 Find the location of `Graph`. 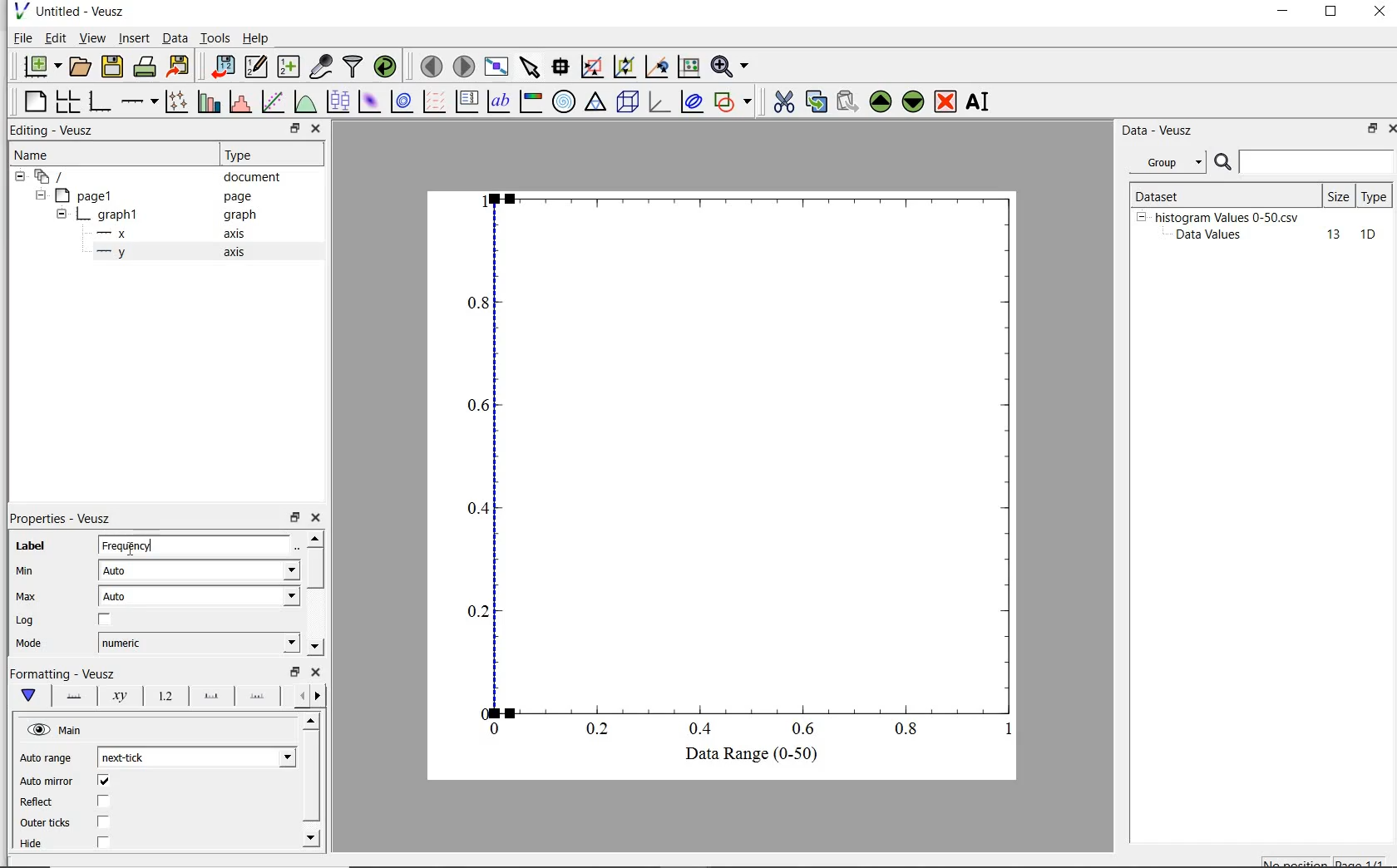

Graph is located at coordinates (740, 462).